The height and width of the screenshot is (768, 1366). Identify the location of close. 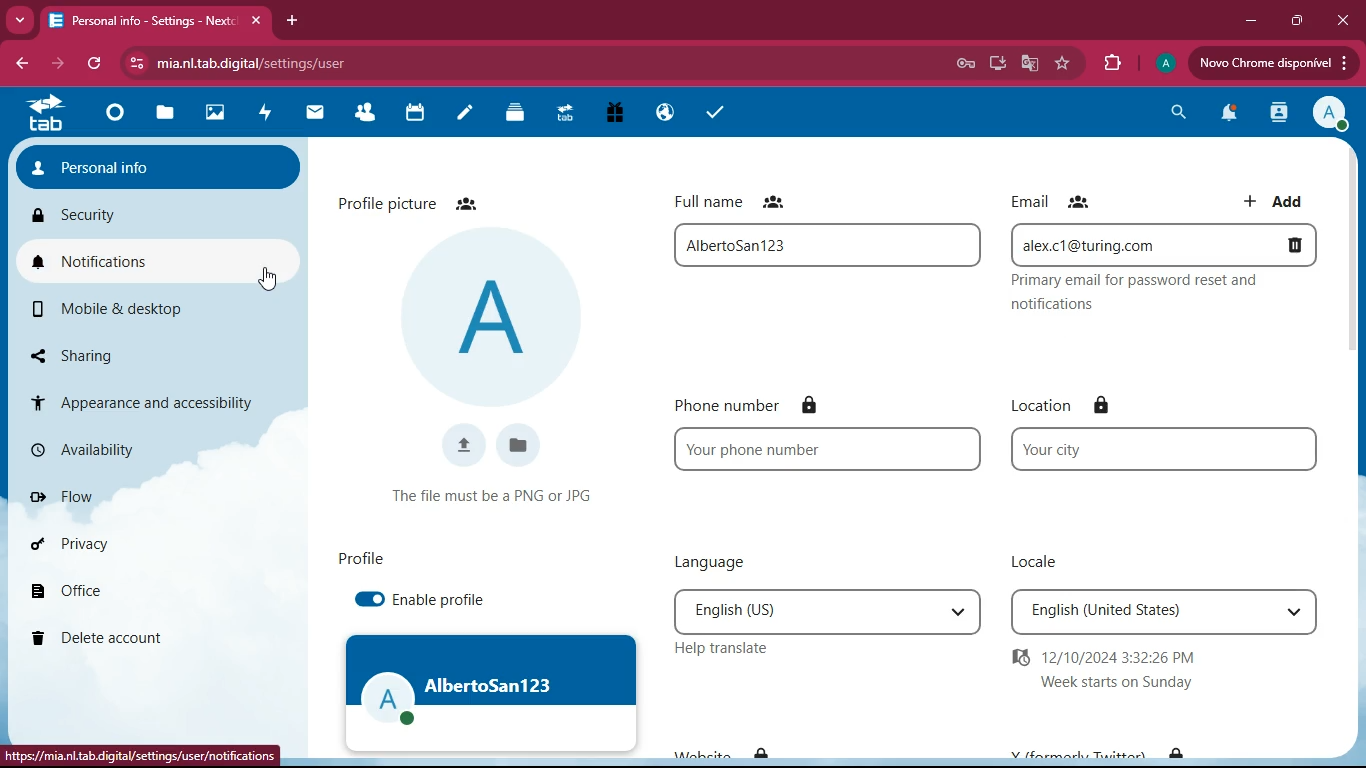
(1343, 19).